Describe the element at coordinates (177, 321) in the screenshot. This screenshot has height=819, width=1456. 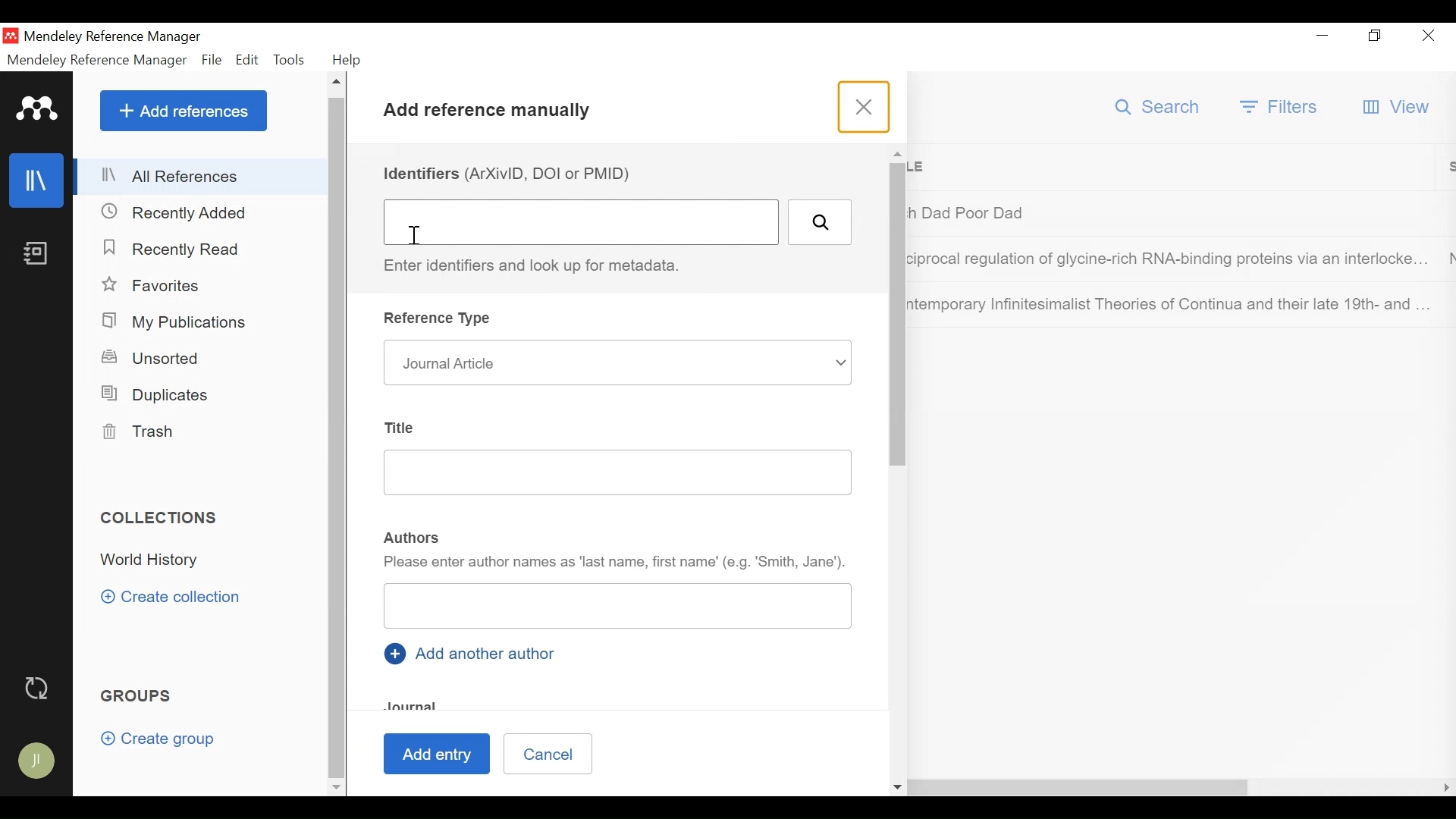
I see `My Publications` at that location.